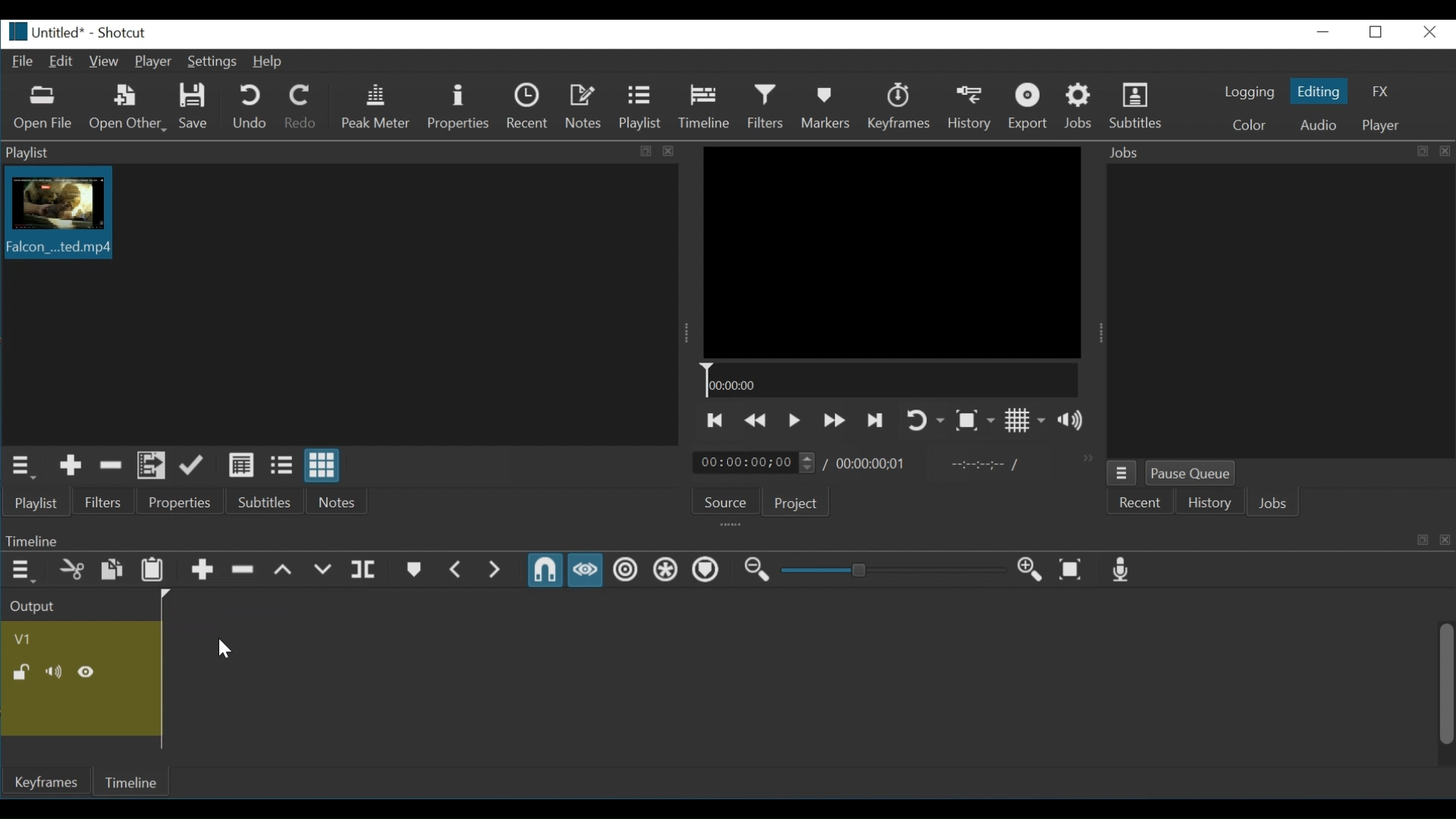 Image resolution: width=1456 pixels, height=819 pixels. Describe the element at coordinates (1277, 152) in the screenshot. I see `Jobs Panel` at that location.